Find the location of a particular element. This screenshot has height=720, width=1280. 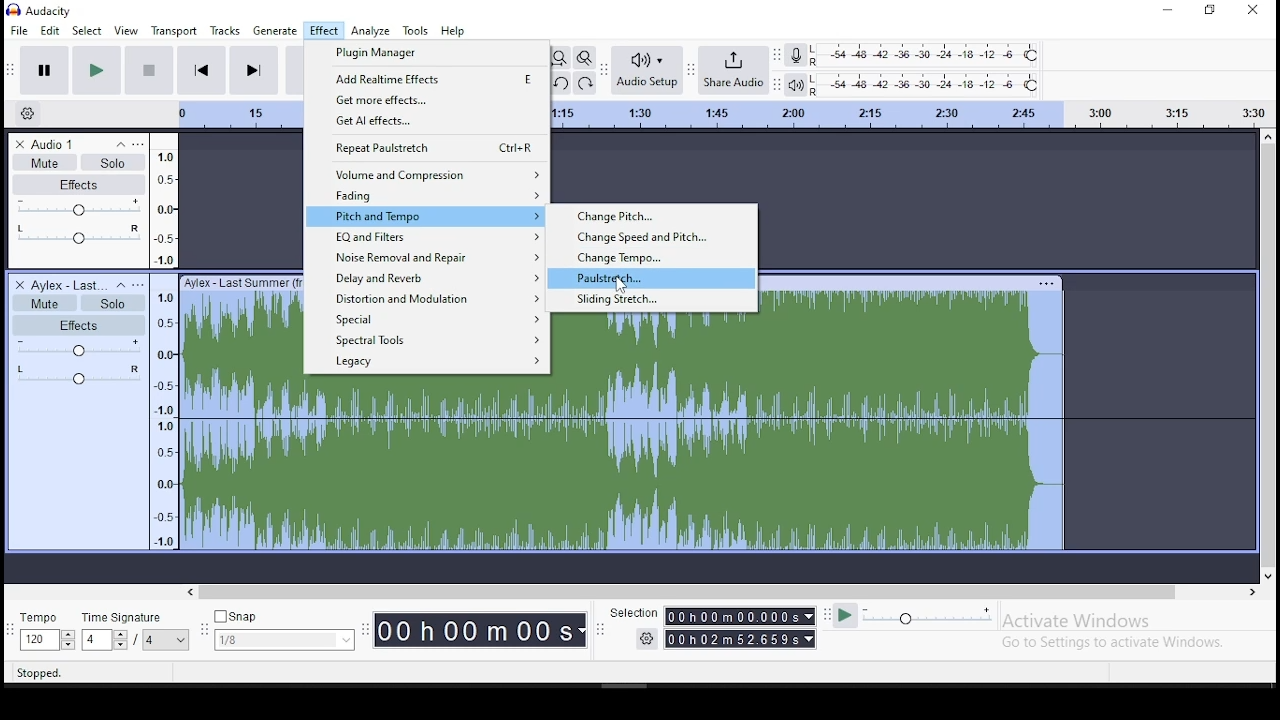

skip to start is located at coordinates (203, 70).